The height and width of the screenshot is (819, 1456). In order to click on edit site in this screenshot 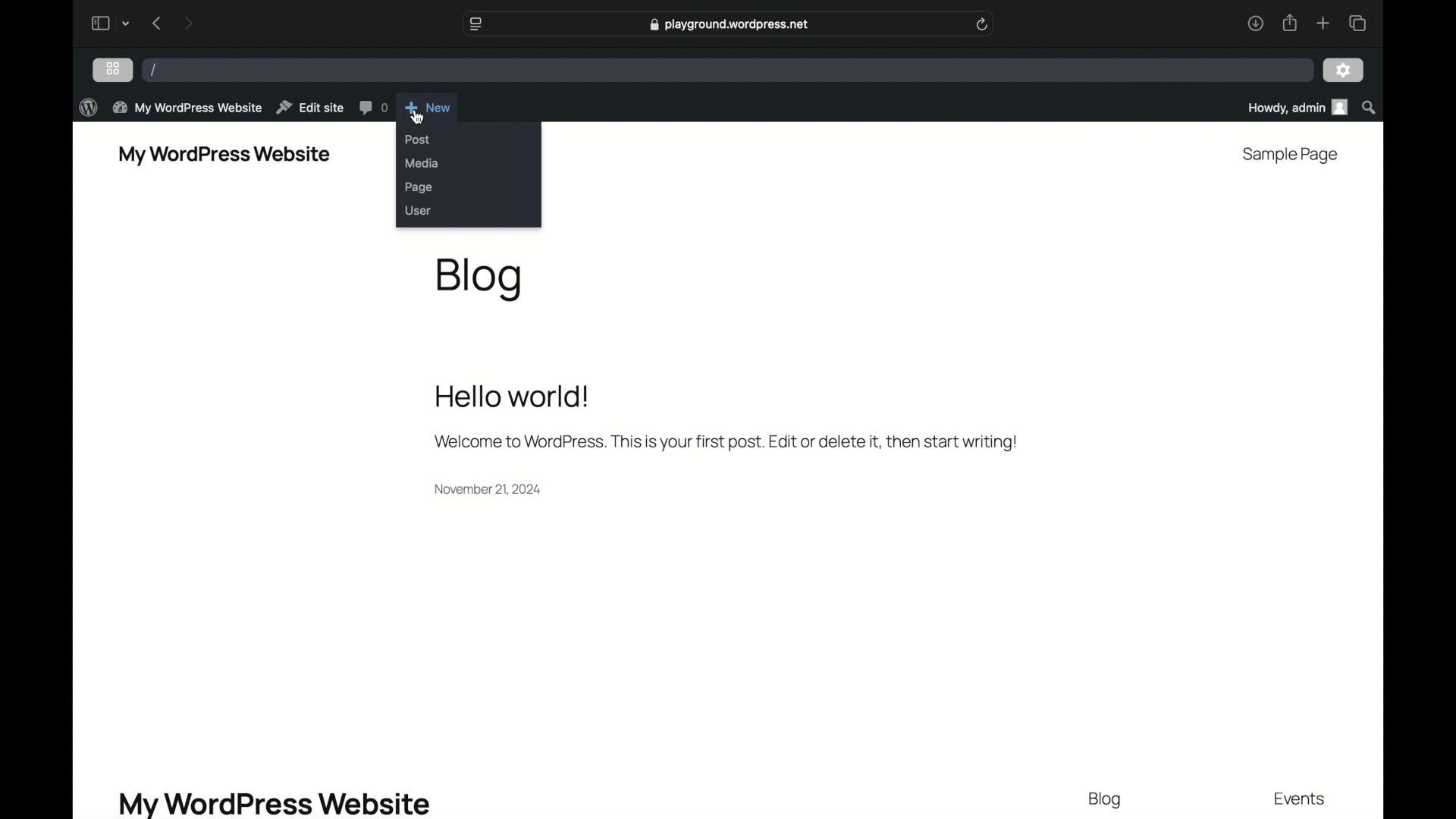, I will do `click(311, 108)`.